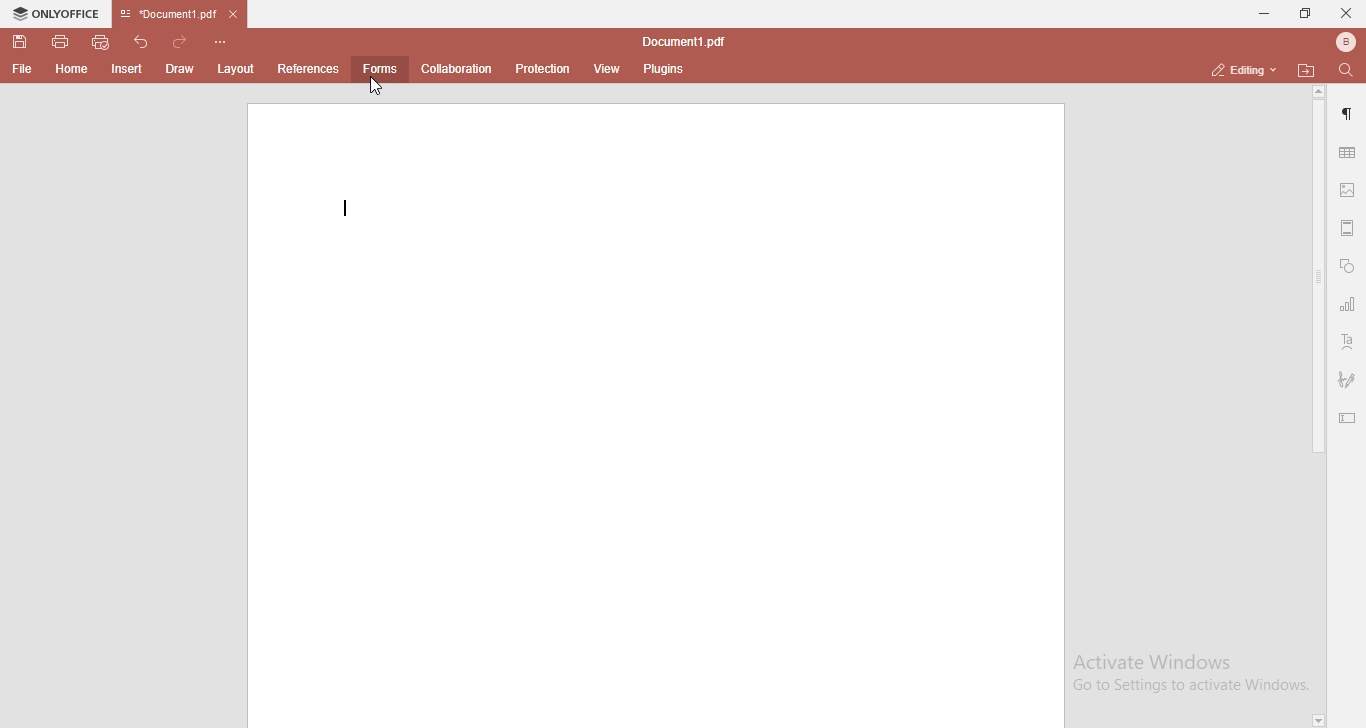 The height and width of the screenshot is (728, 1366). I want to click on protection, so click(543, 68).